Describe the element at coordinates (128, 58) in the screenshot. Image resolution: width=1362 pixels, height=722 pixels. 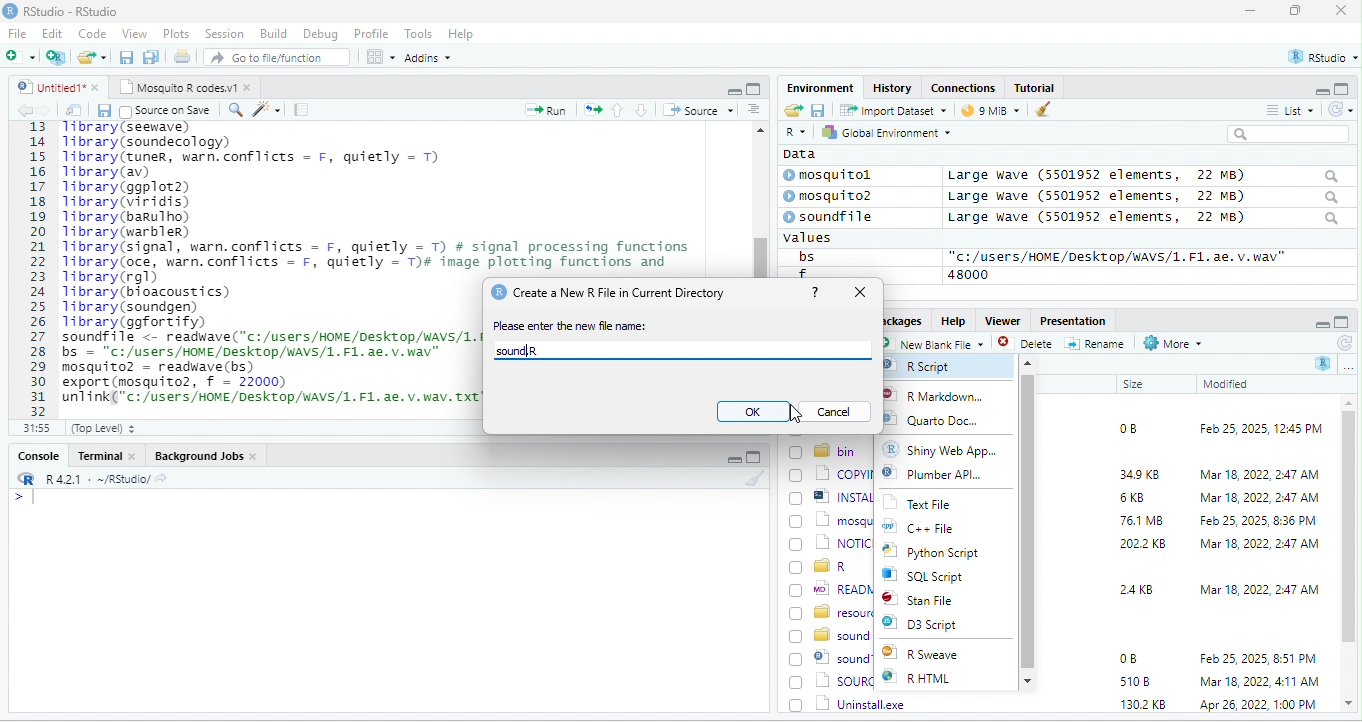
I see `save` at that location.